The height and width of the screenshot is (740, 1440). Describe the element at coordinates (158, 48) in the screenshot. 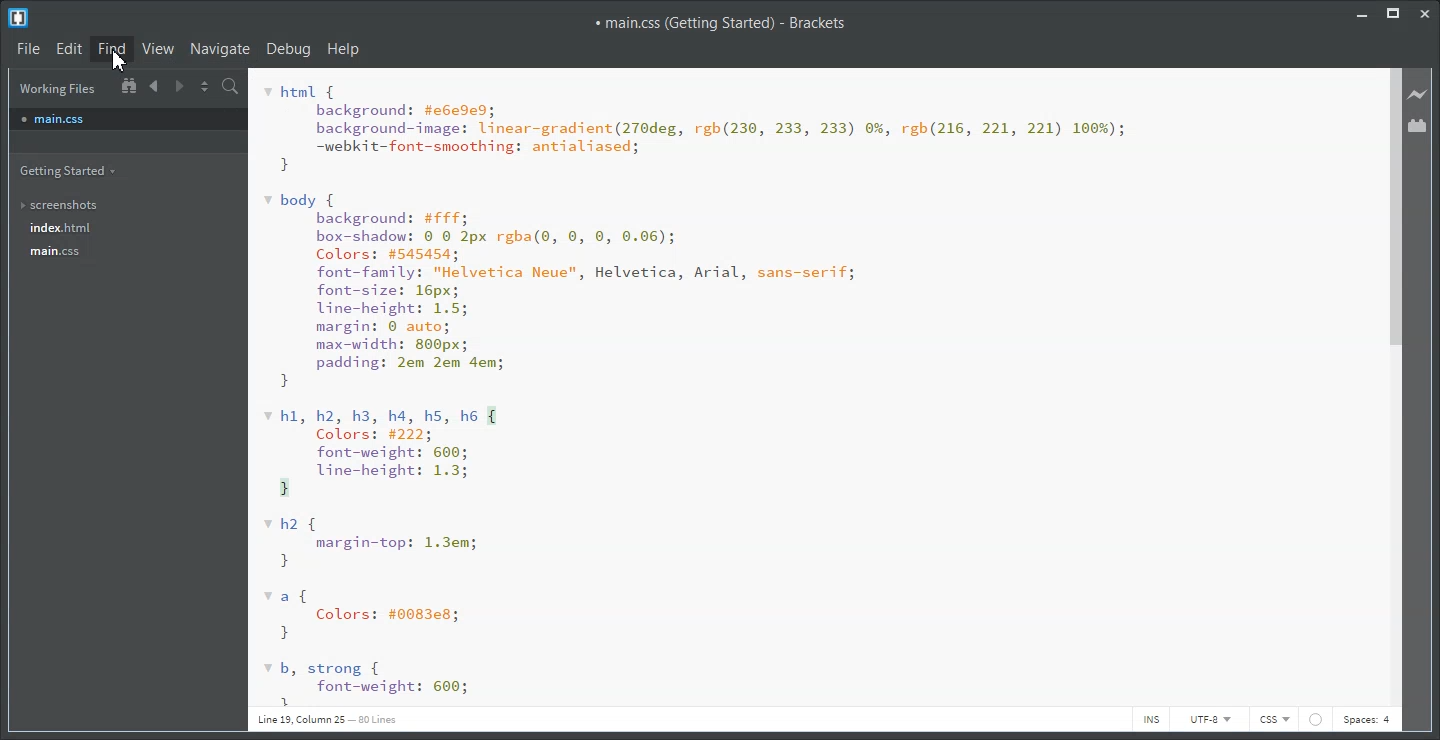

I see `View` at that location.